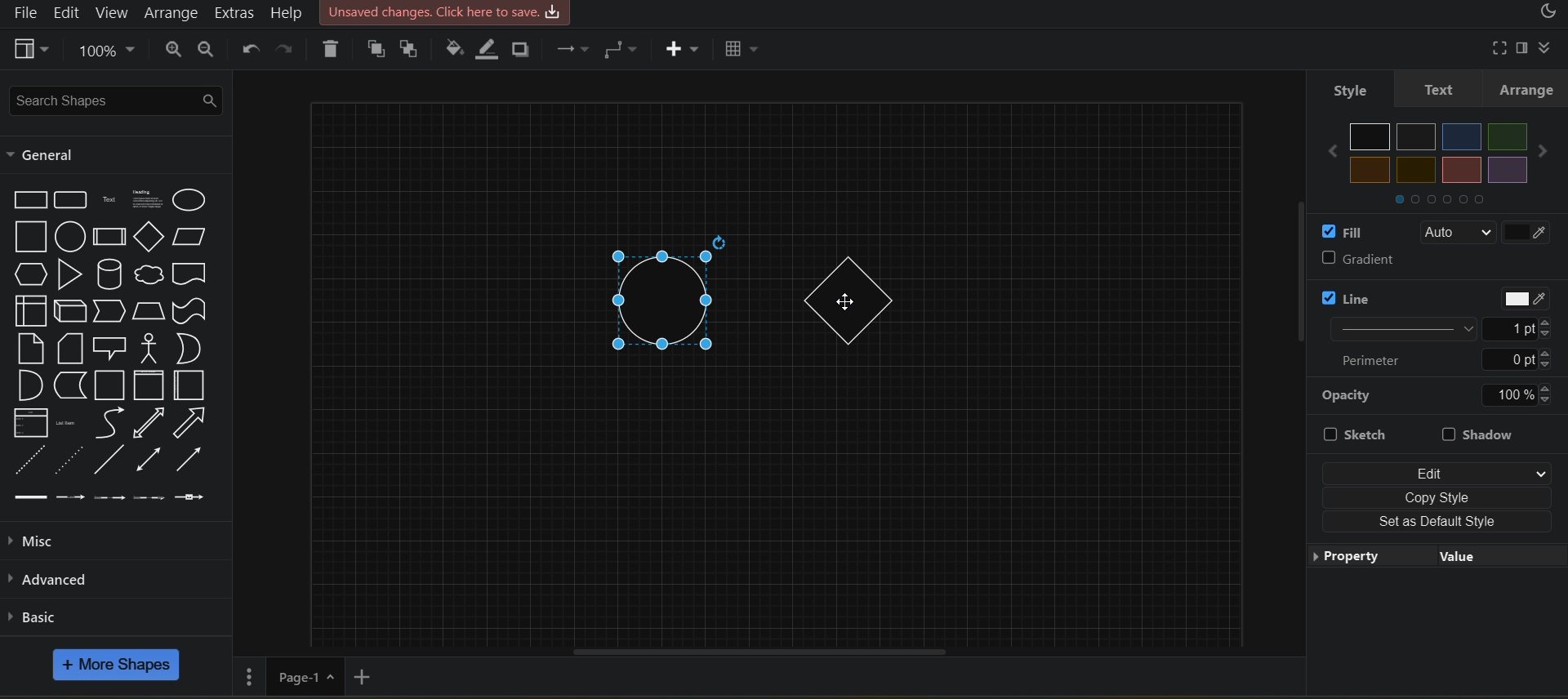 This screenshot has height=699, width=1568. Describe the element at coordinates (191, 311) in the screenshot. I see `Tape` at that location.